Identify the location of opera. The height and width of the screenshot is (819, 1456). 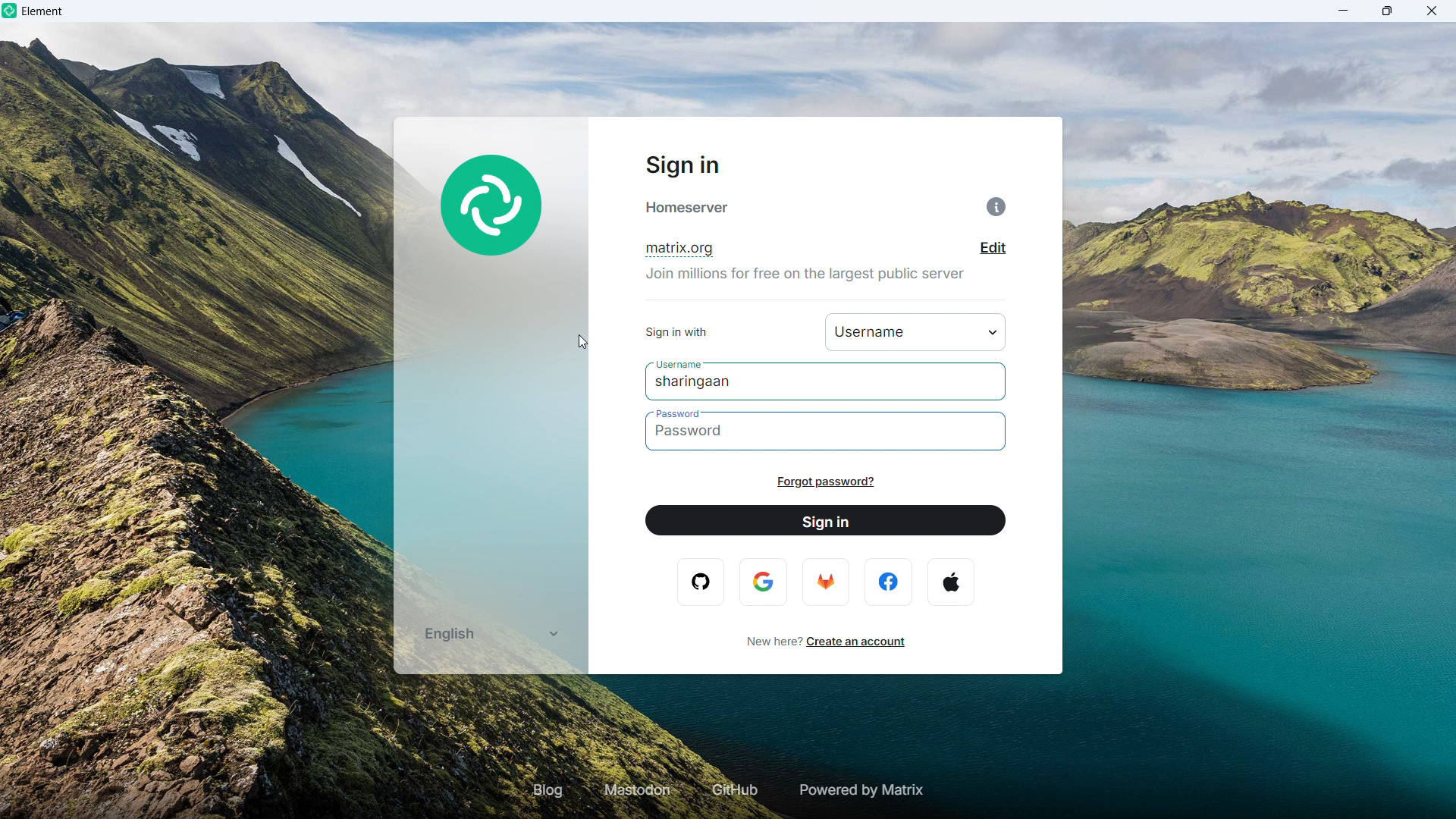
(704, 582).